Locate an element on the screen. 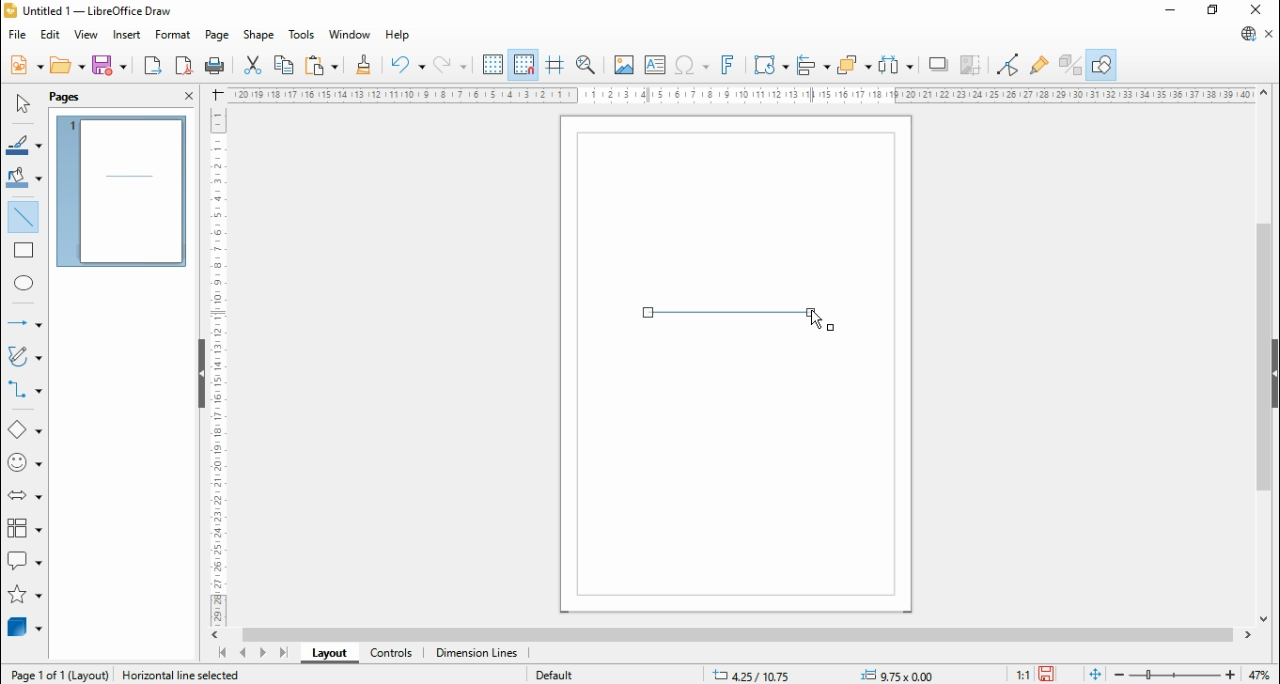 Image resolution: width=1280 pixels, height=684 pixels. open is located at coordinates (69, 65).